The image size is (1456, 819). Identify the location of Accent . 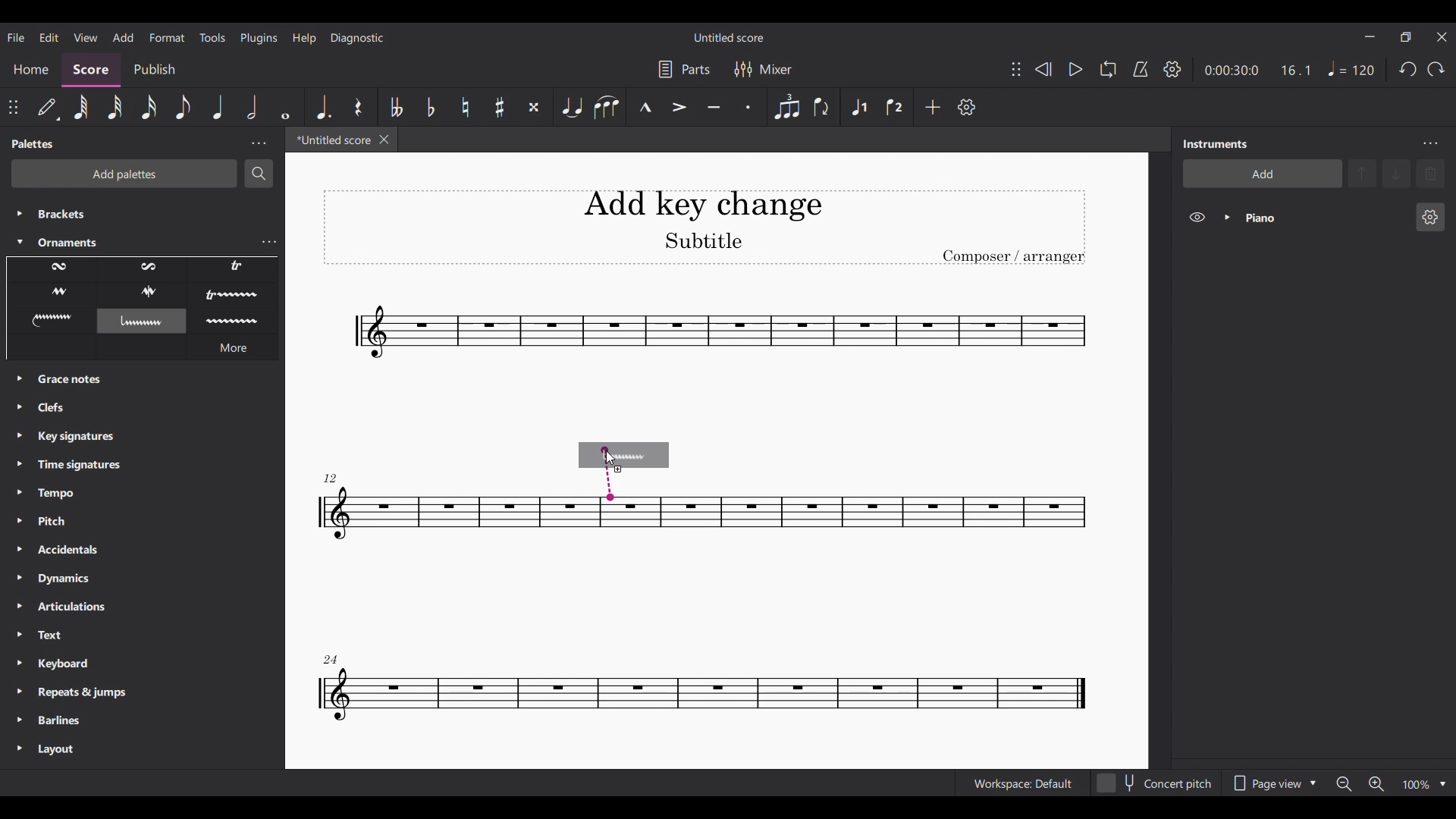
(678, 107).